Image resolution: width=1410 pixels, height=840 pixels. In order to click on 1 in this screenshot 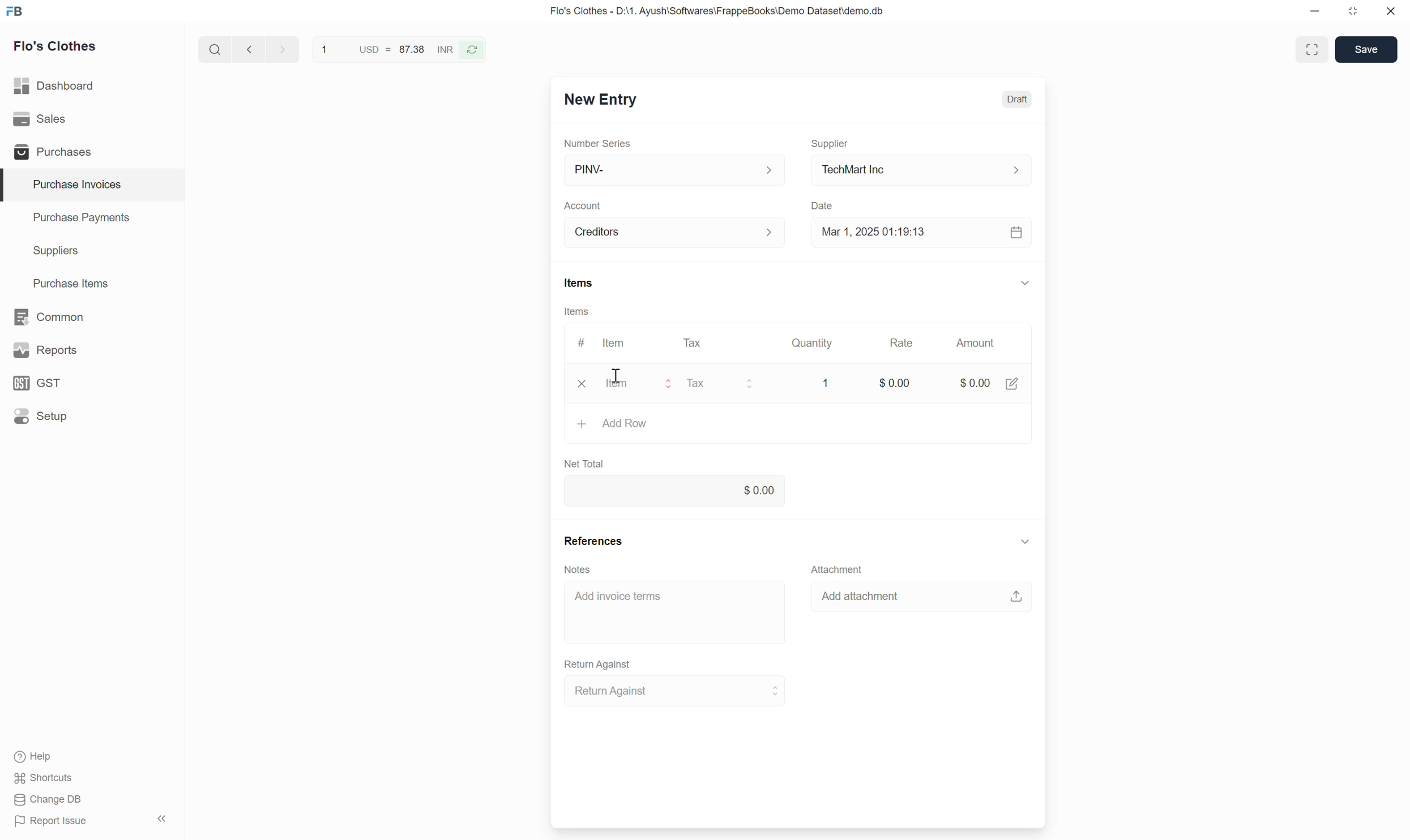, I will do `click(822, 382)`.